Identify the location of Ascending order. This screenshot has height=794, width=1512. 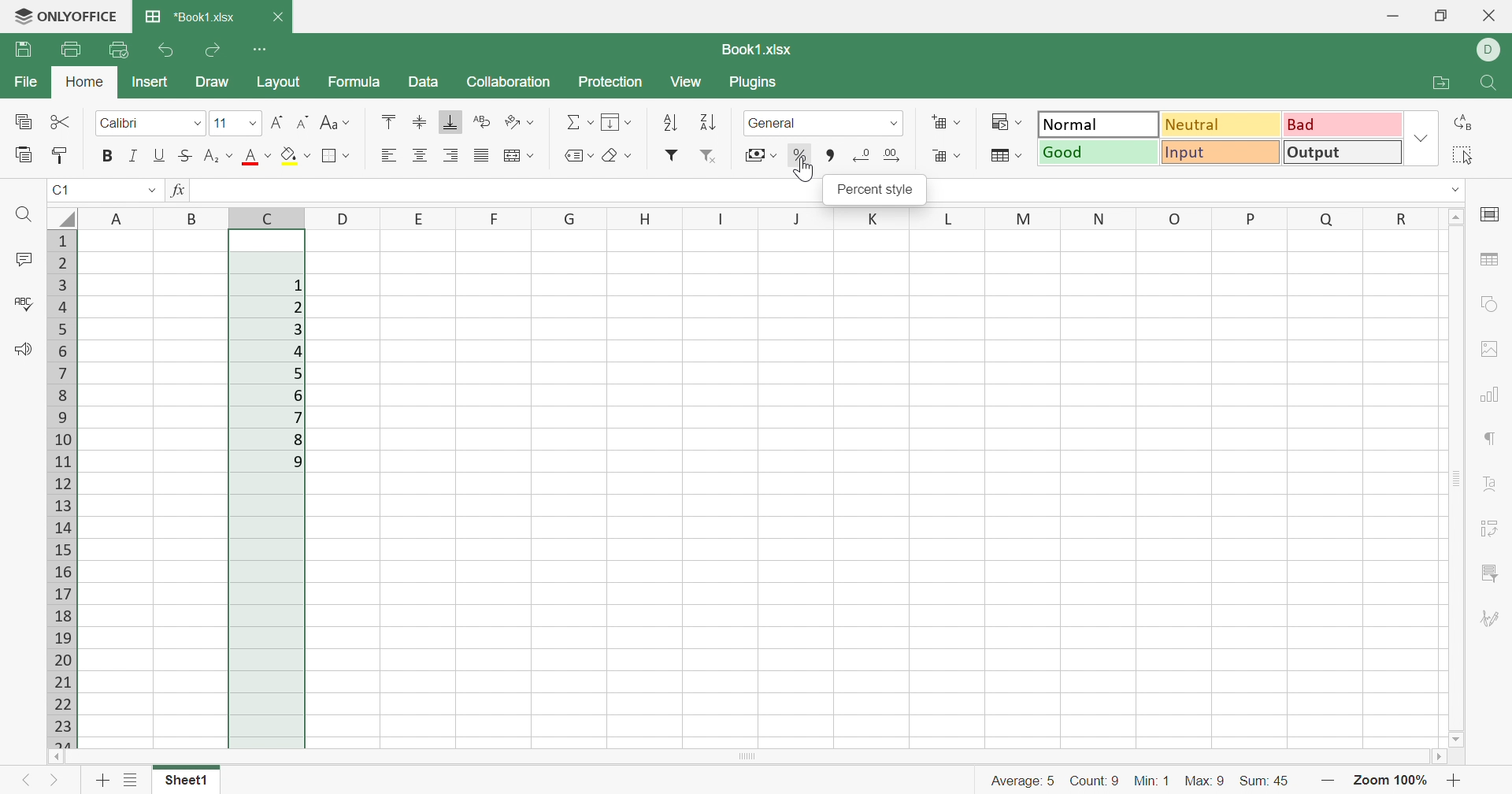
(670, 122).